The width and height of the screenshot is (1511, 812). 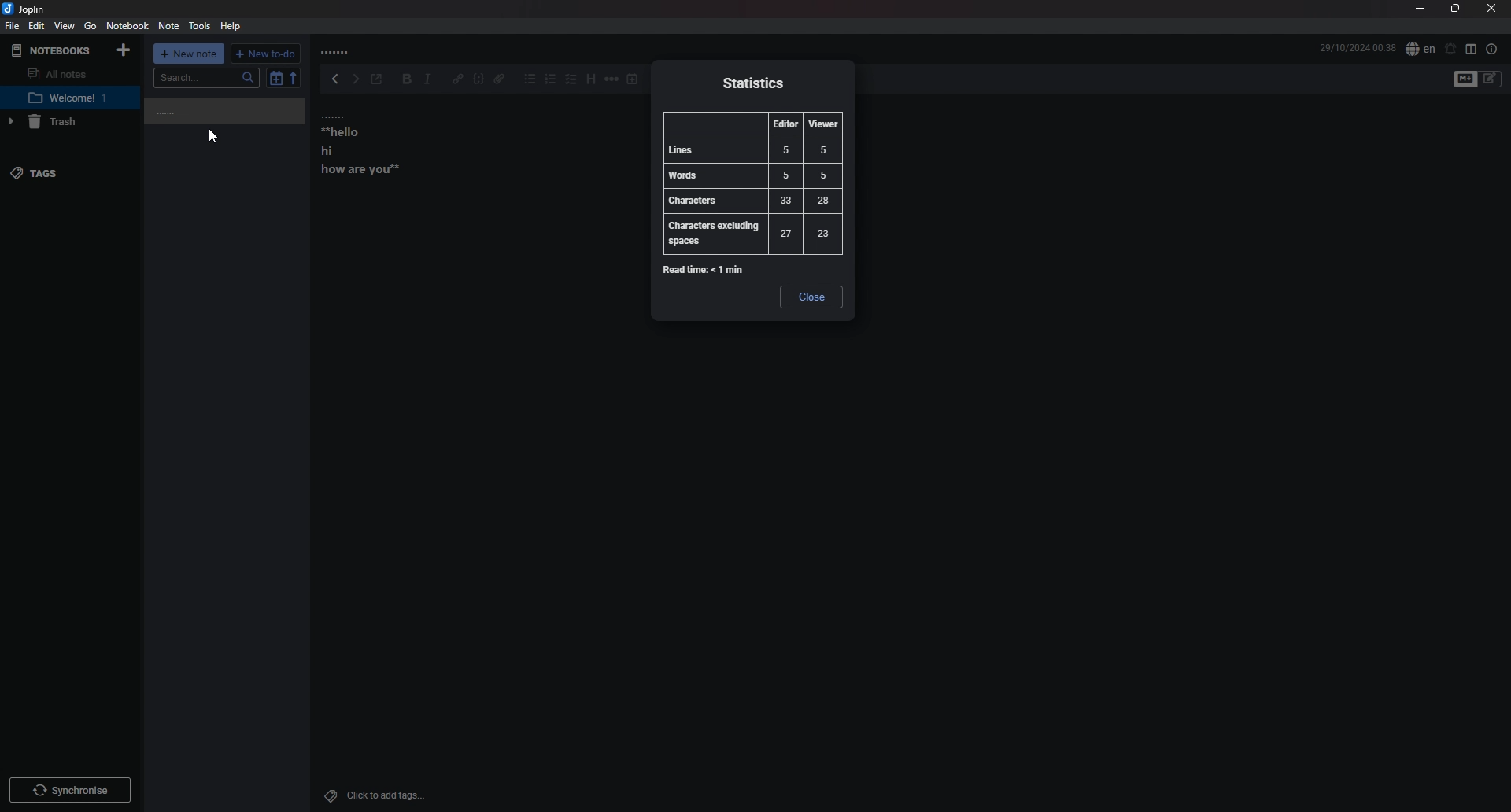 I want to click on Notebooks, so click(x=50, y=50).